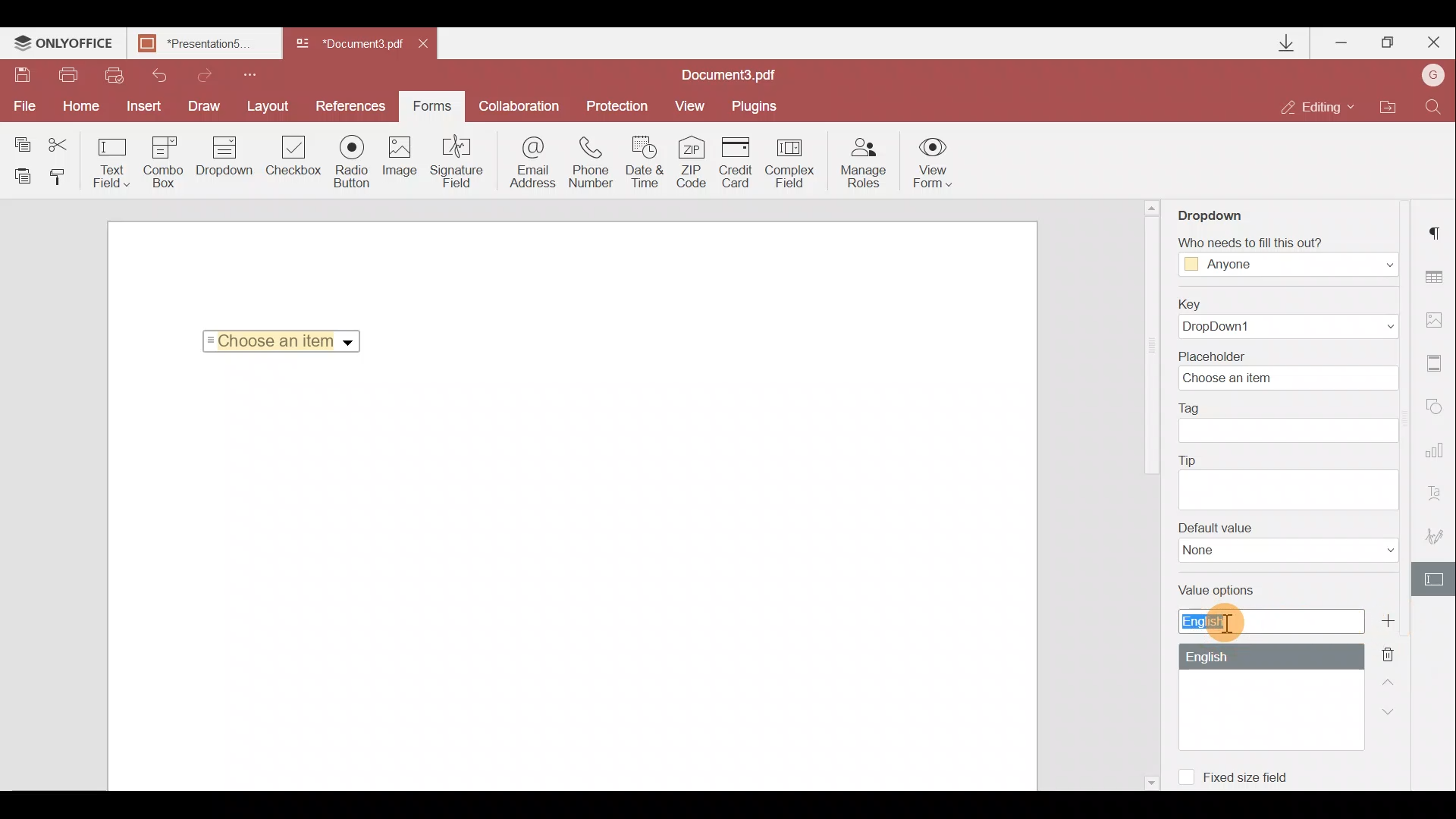 The width and height of the screenshot is (1456, 819). Describe the element at coordinates (863, 163) in the screenshot. I see `Manage roles` at that location.